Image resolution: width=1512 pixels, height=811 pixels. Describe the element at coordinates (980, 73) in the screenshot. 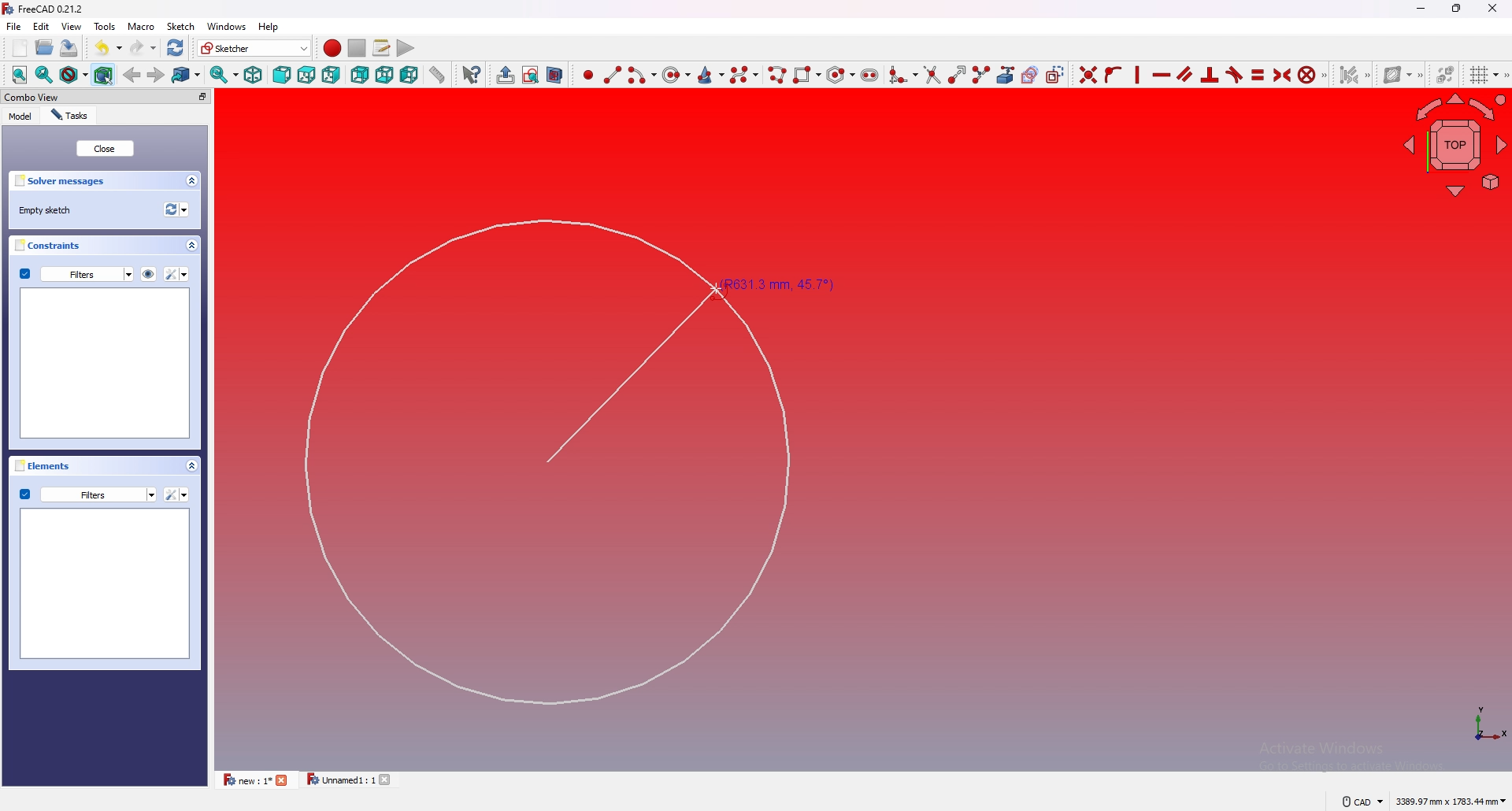

I see `split edge` at that location.